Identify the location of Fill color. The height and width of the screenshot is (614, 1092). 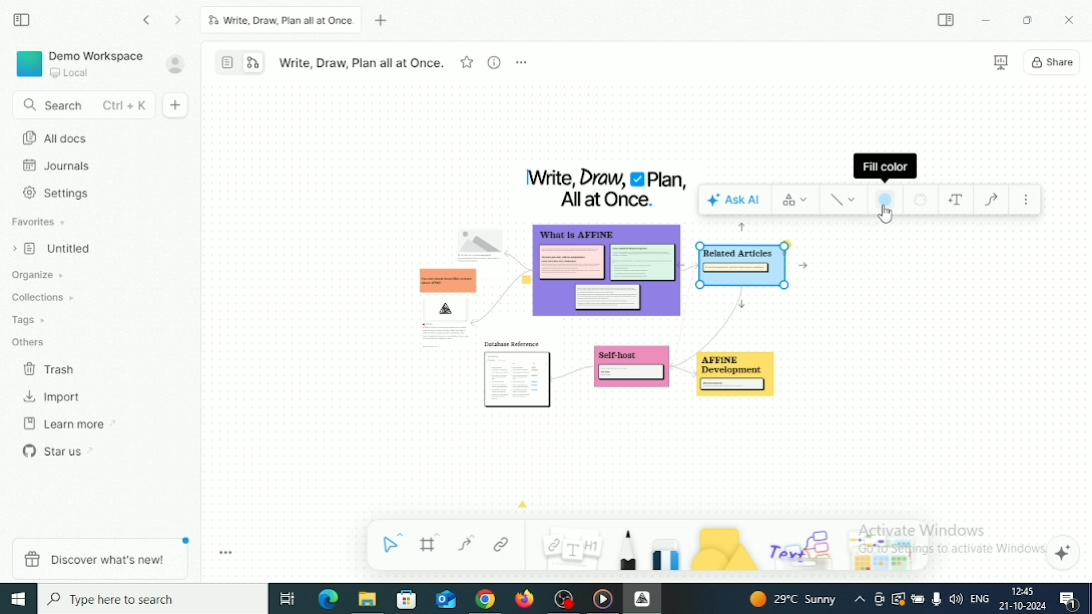
(887, 167).